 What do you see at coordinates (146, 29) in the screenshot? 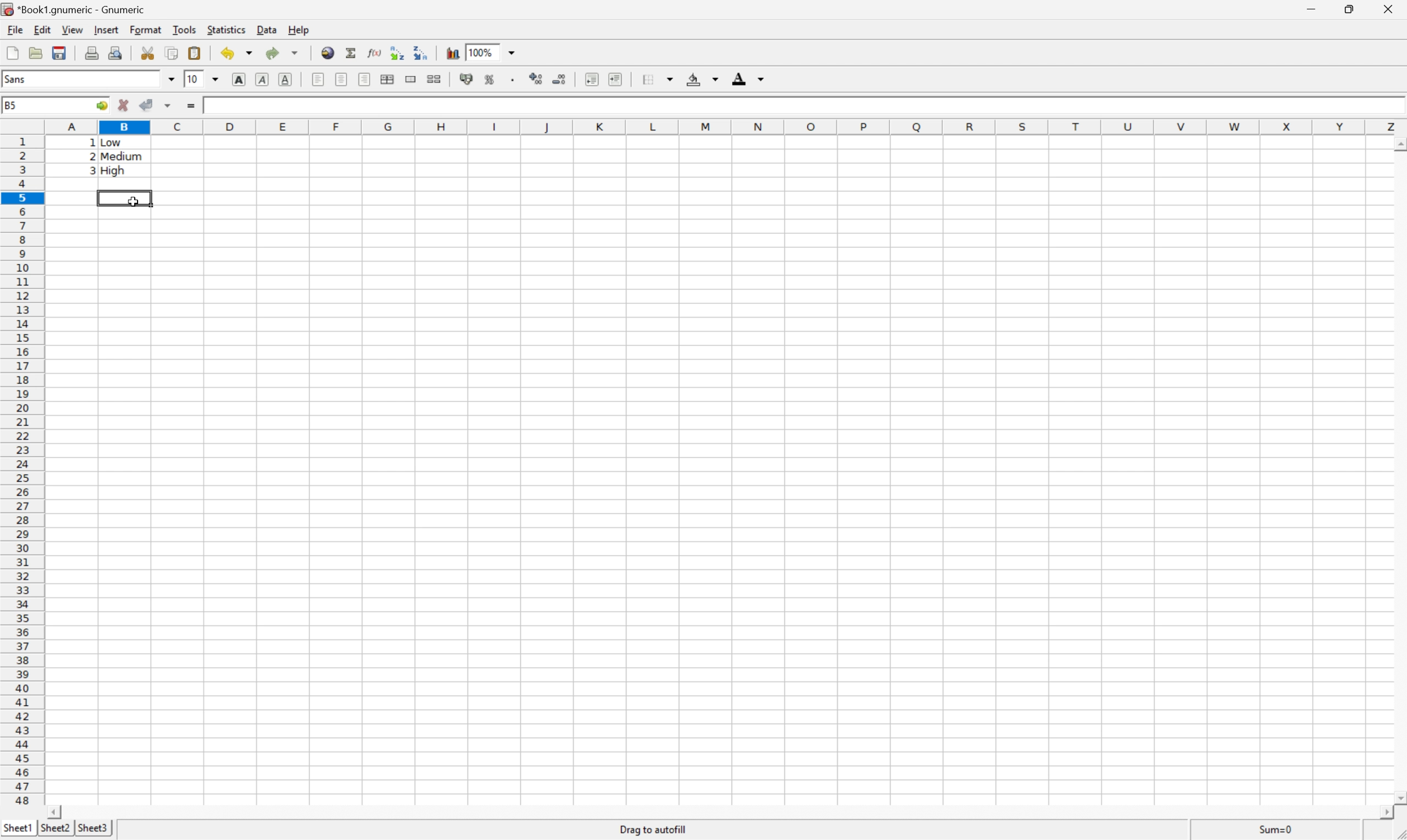
I see `Format` at bounding box center [146, 29].